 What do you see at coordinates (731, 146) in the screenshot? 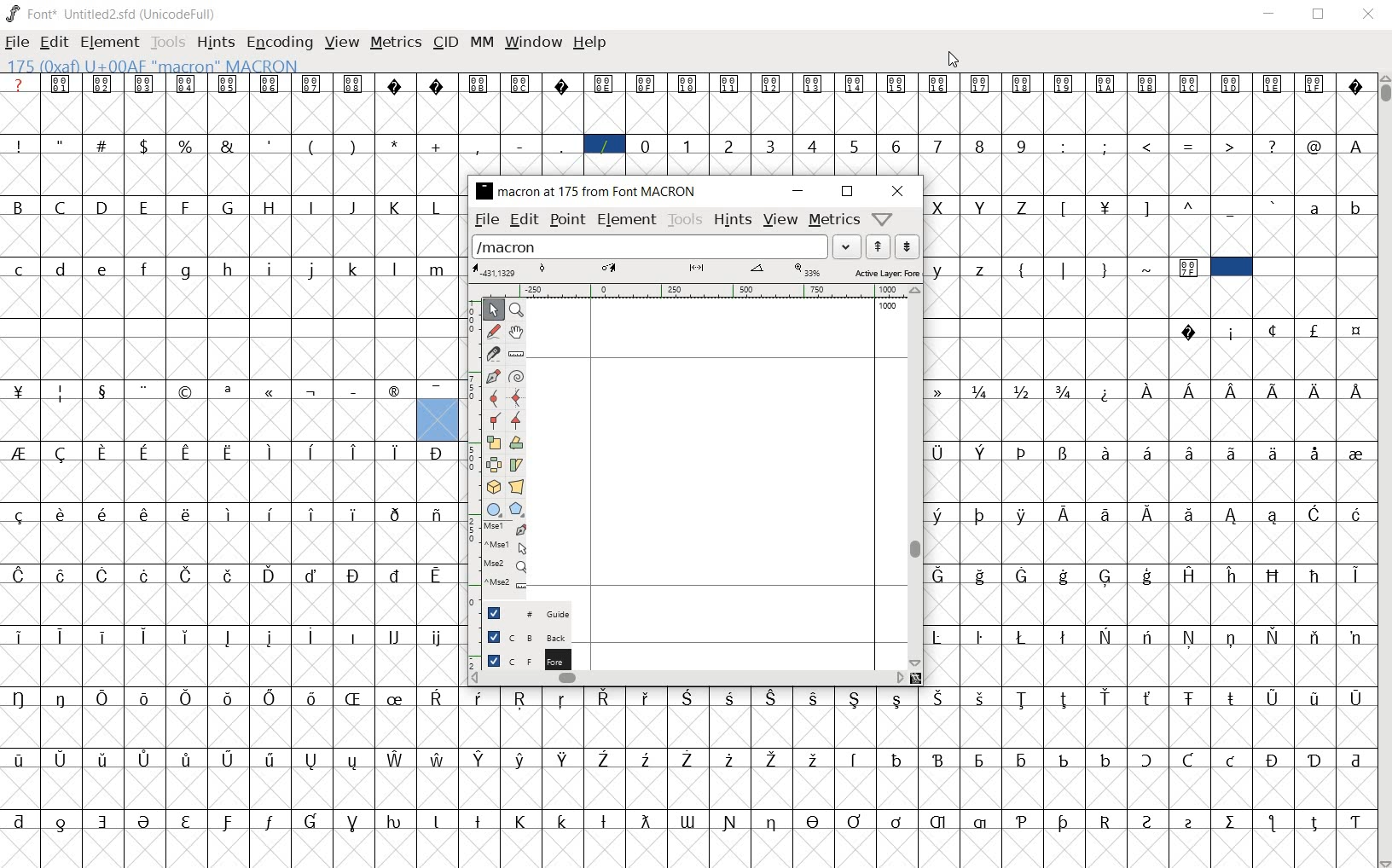
I see `2` at bounding box center [731, 146].